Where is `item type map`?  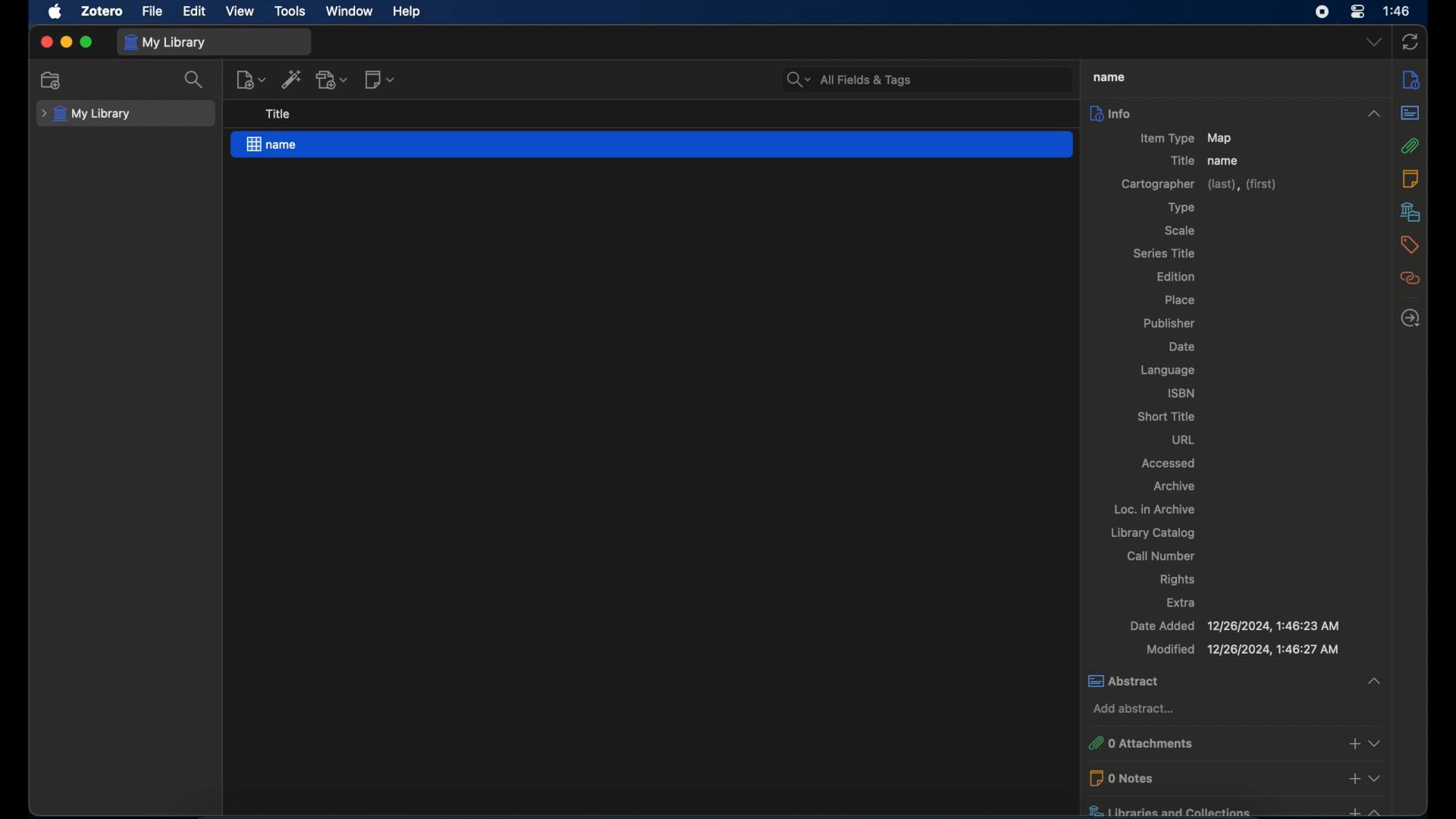 item type map is located at coordinates (1186, 139).